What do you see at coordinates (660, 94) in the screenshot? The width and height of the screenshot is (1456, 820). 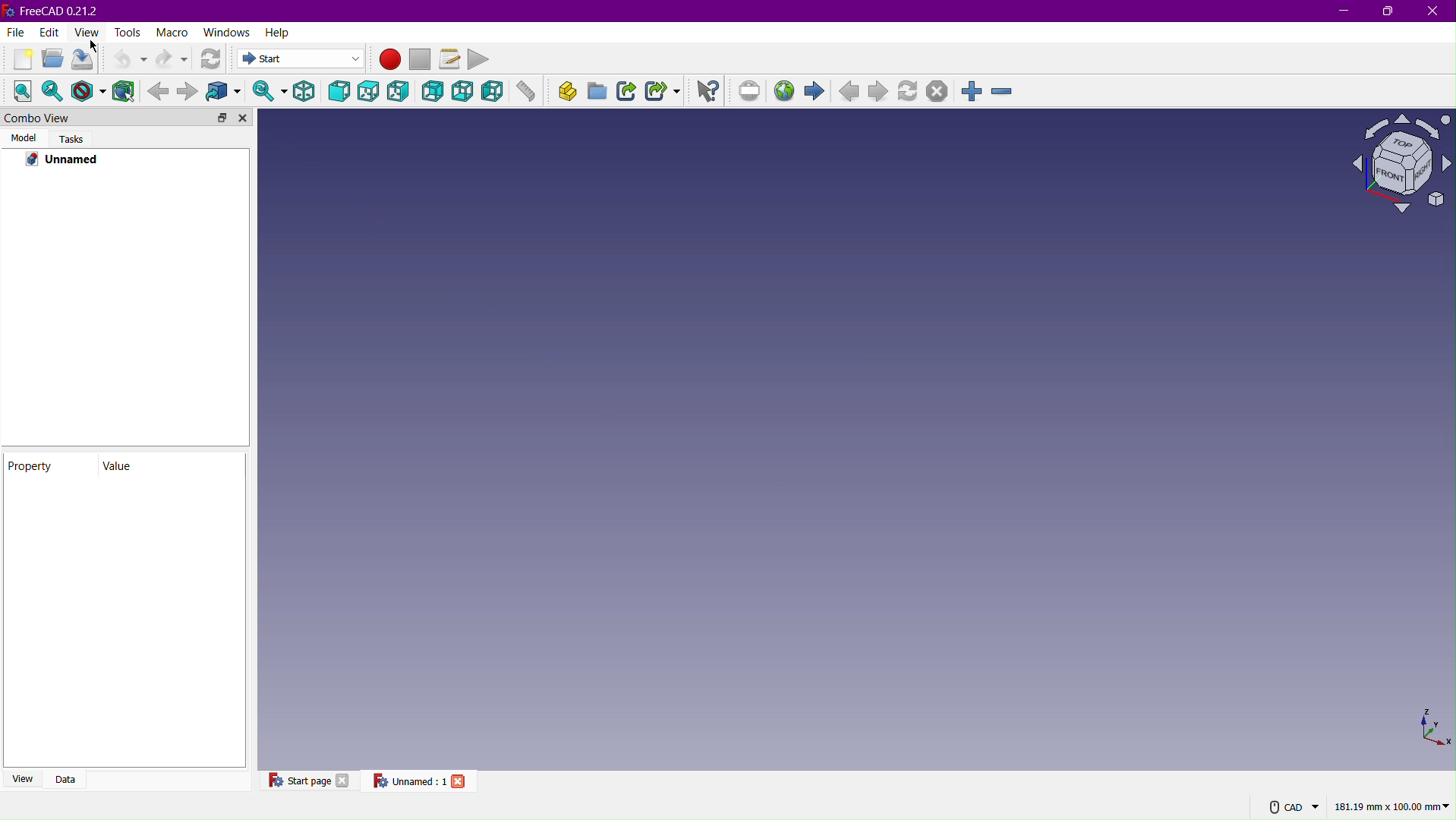 I see `Make Sub-Link` at bounding box center [660, 94].